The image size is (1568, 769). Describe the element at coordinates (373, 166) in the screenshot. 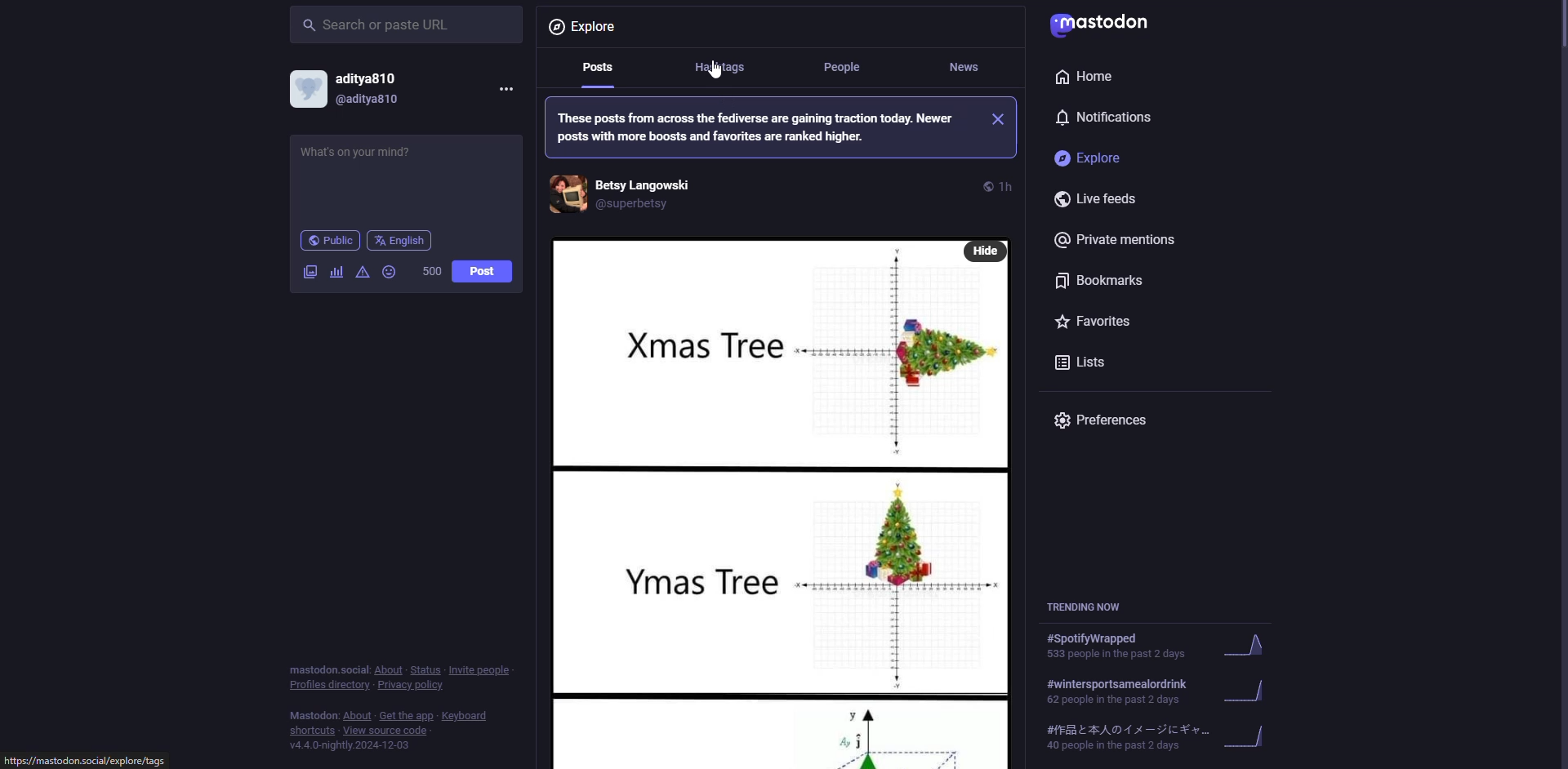

I see `write` at that location.